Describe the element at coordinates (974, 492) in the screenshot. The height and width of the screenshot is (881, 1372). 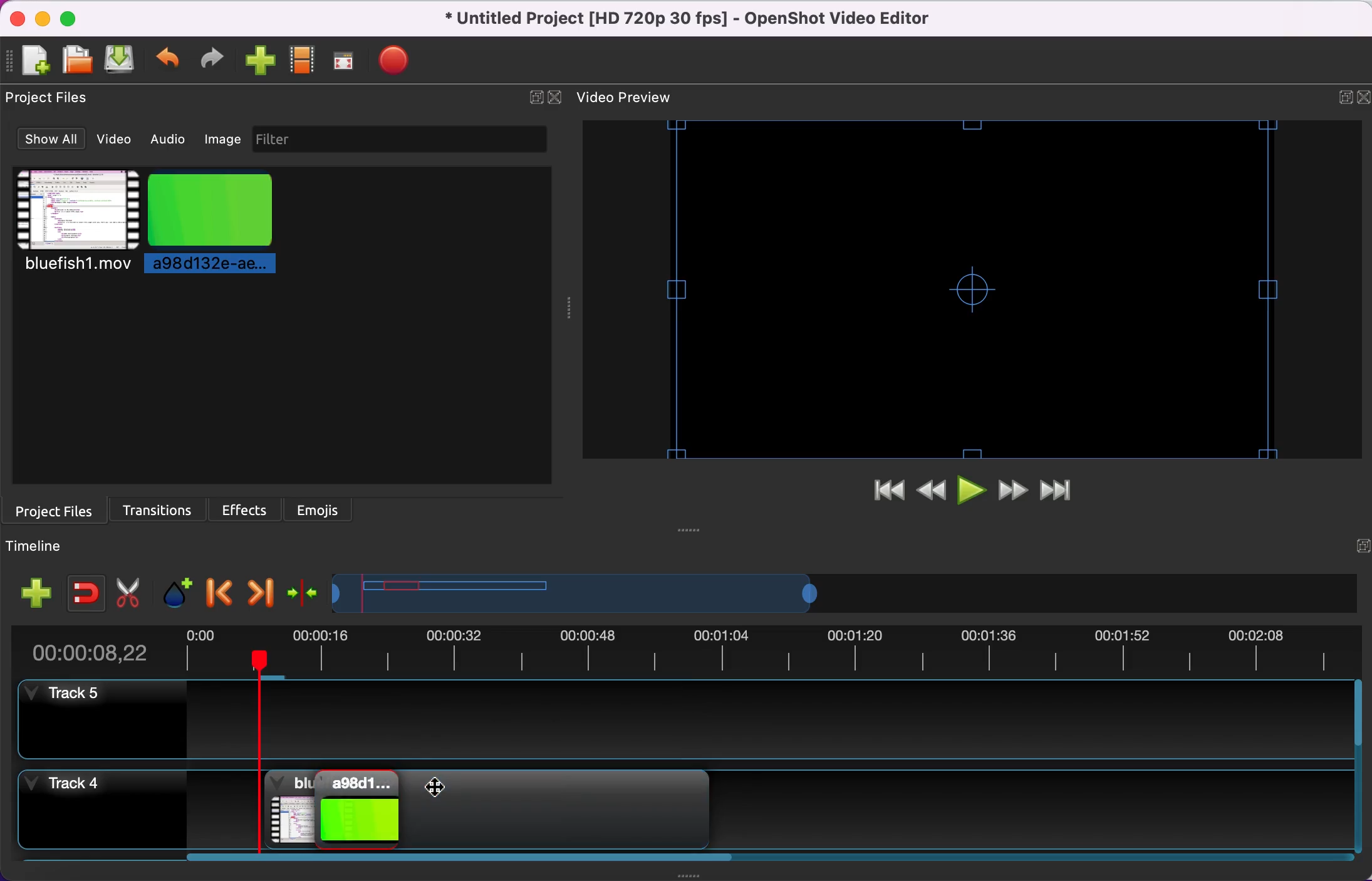
I see `play` at that location.